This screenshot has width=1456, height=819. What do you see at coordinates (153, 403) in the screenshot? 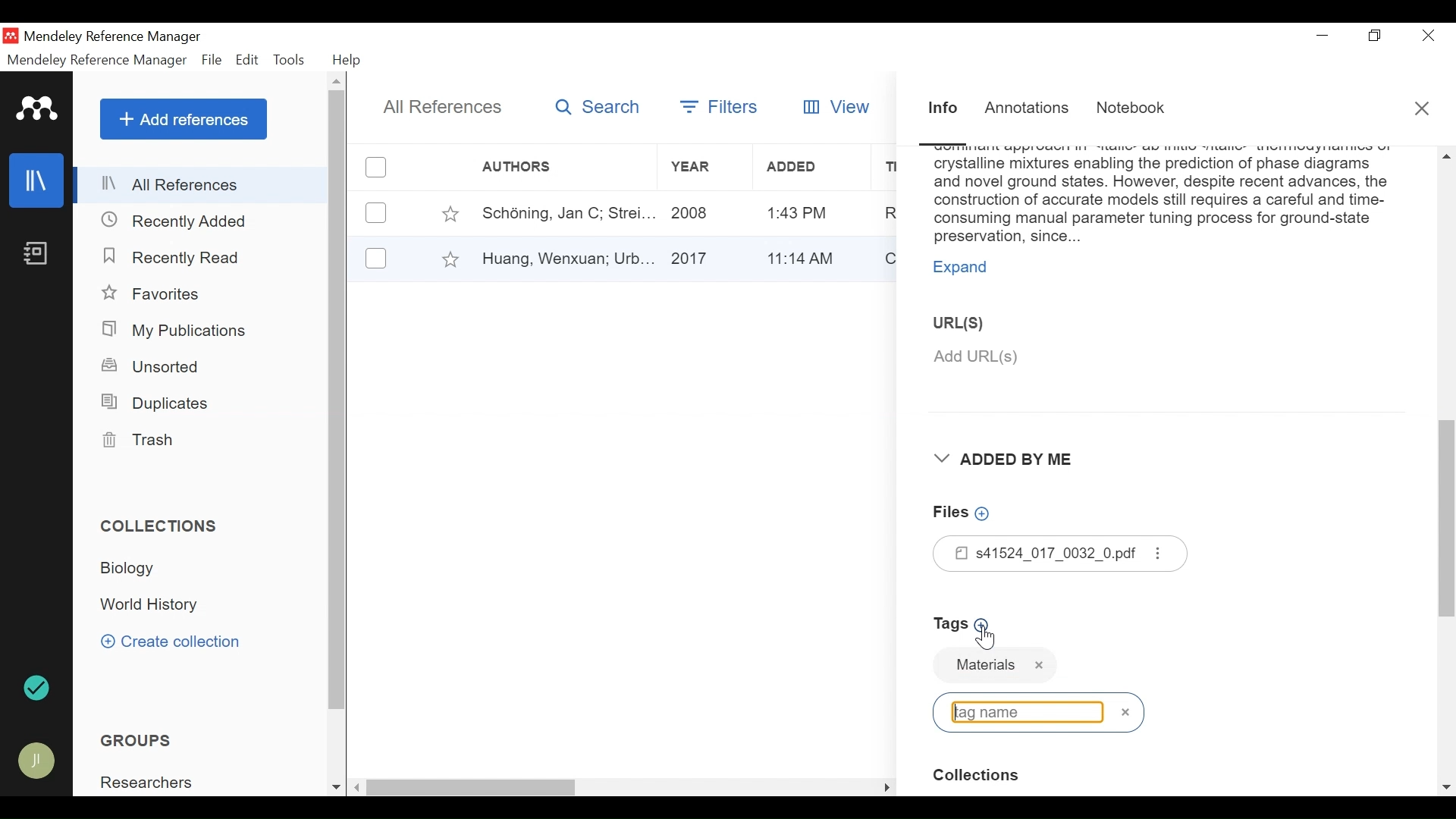
I see `Duplicates` at bounding box center [153, 403].